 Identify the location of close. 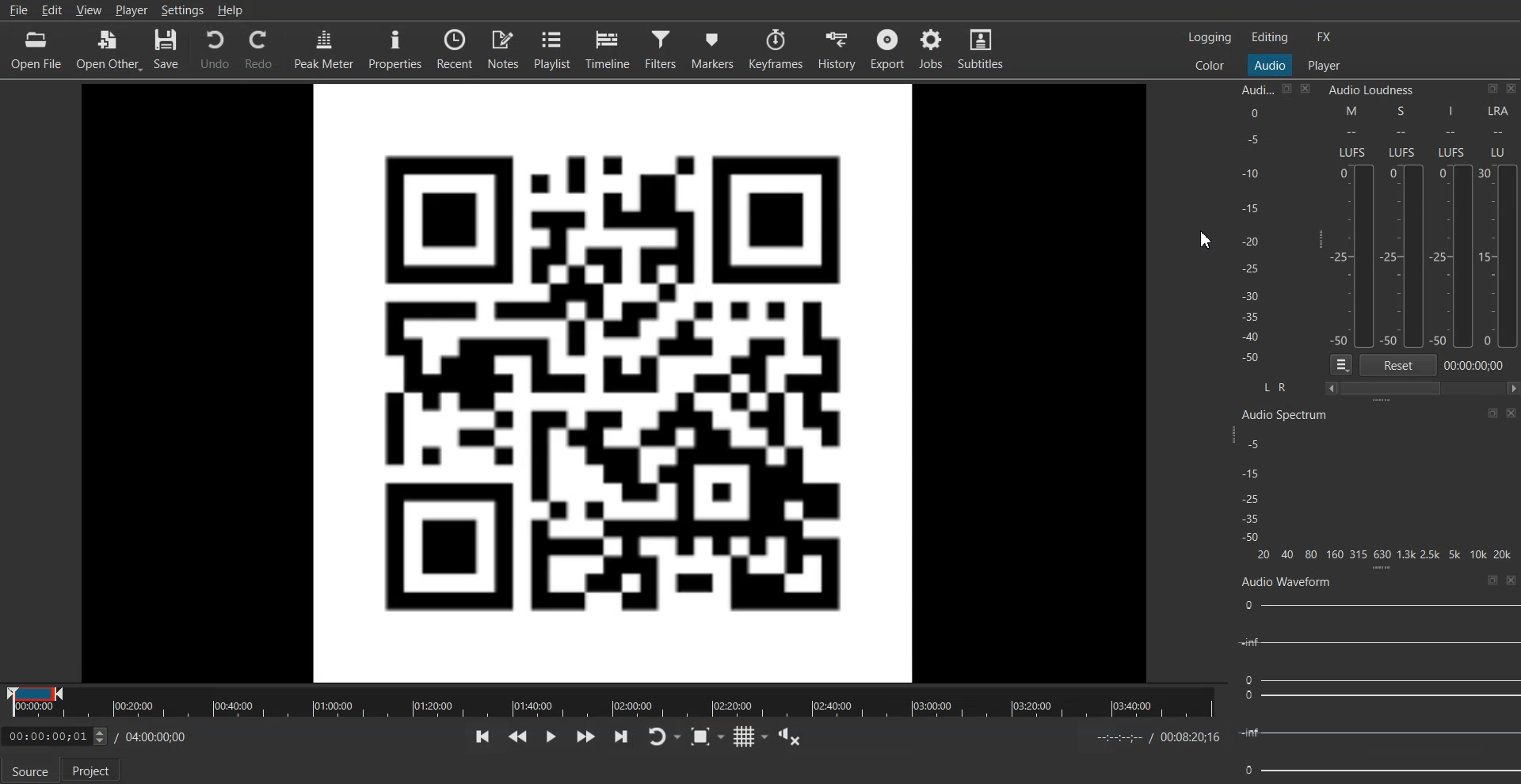
(1511, 415).